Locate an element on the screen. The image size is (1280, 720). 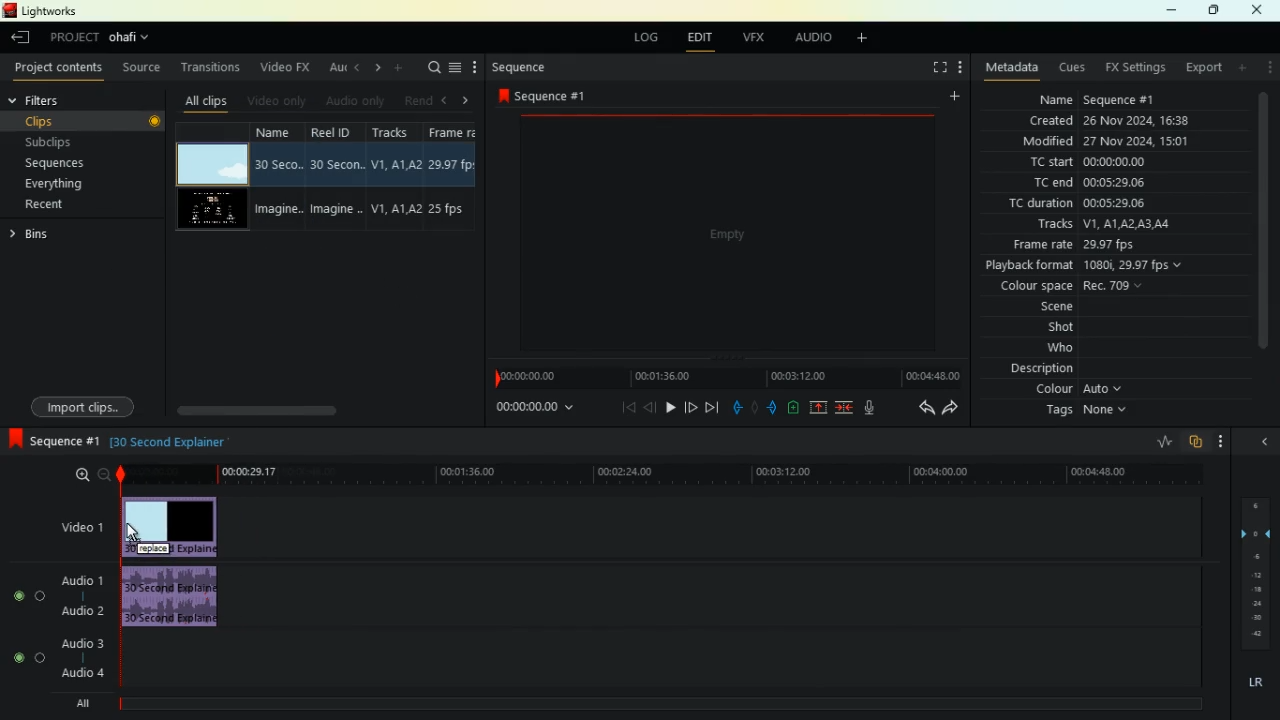
back is located at coordinates (918, 408).